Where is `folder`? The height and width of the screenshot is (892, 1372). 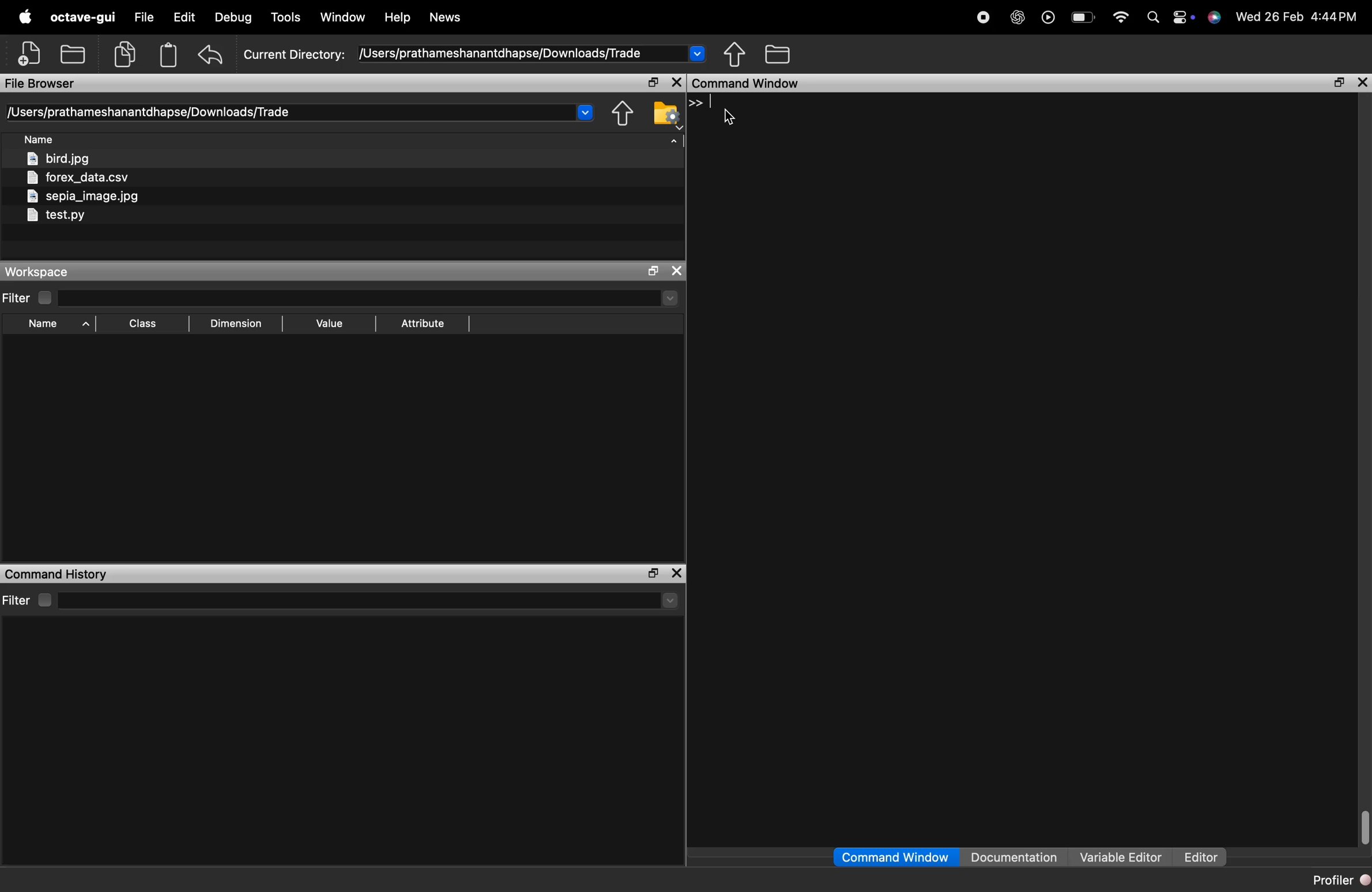
folder is located at coordinates (779, 53).